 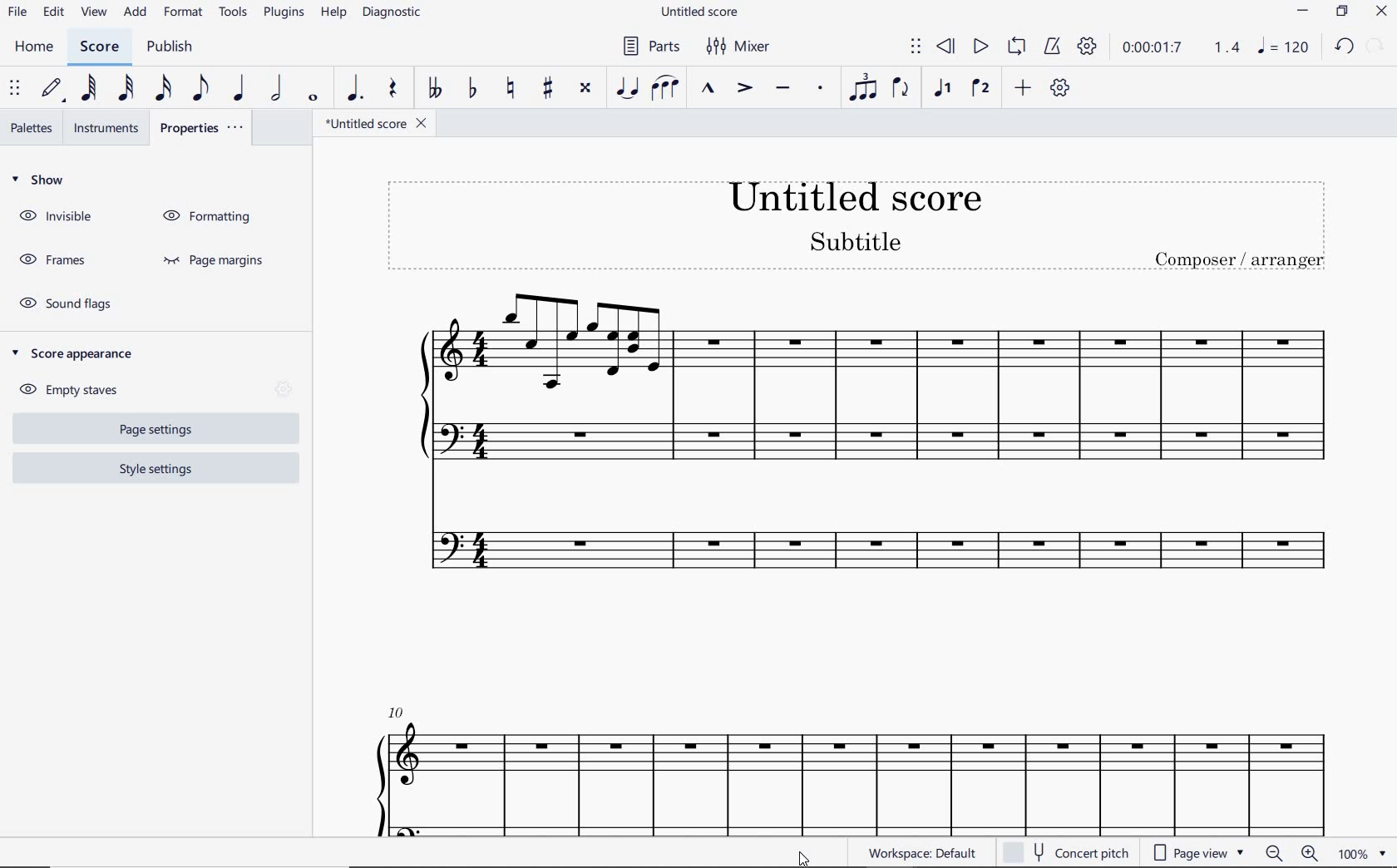 I want to click on TITLE, so click(x=864, y=223).